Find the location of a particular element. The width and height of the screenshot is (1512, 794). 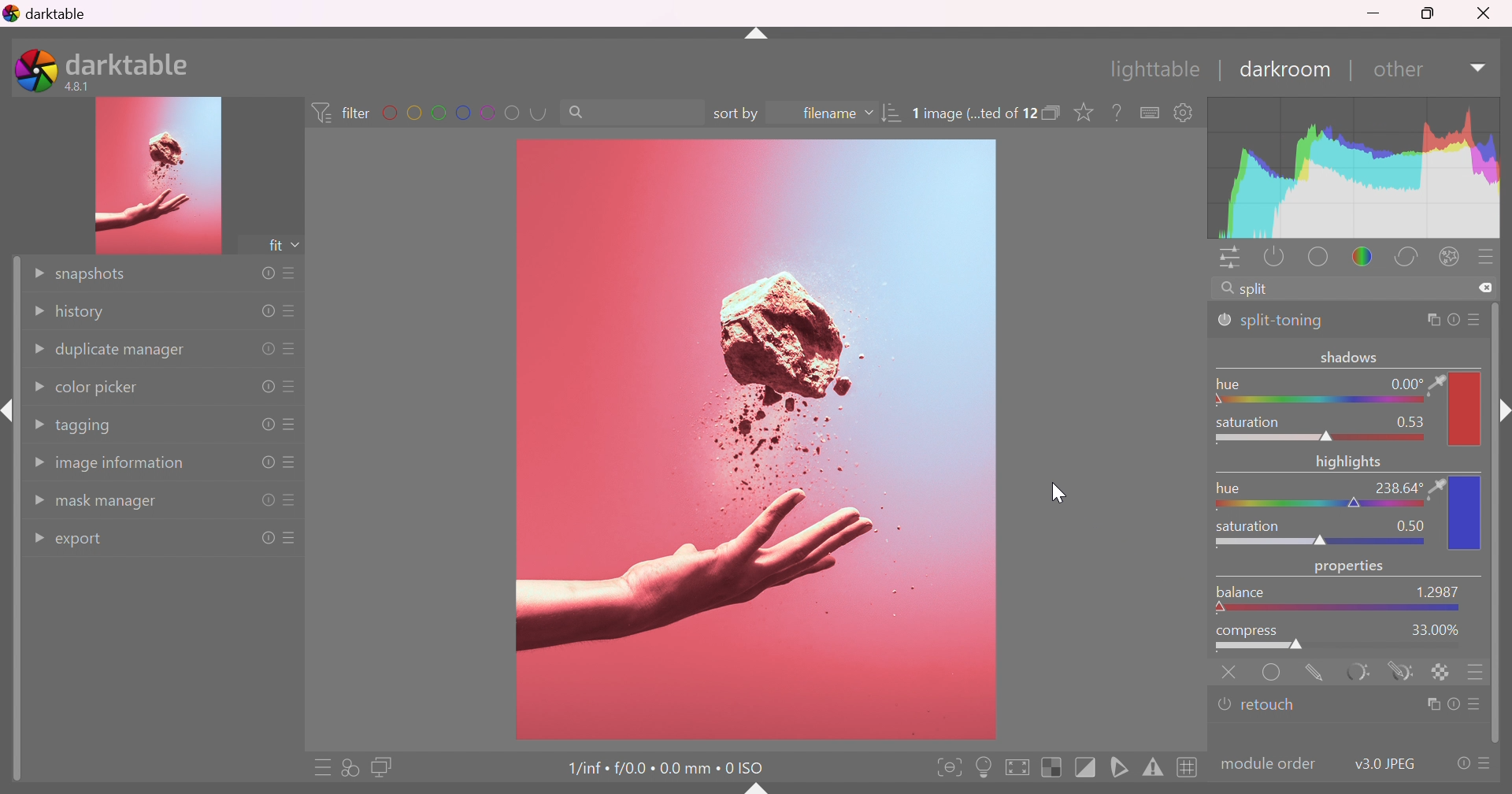

tagging is located at coordinates (87, 429).